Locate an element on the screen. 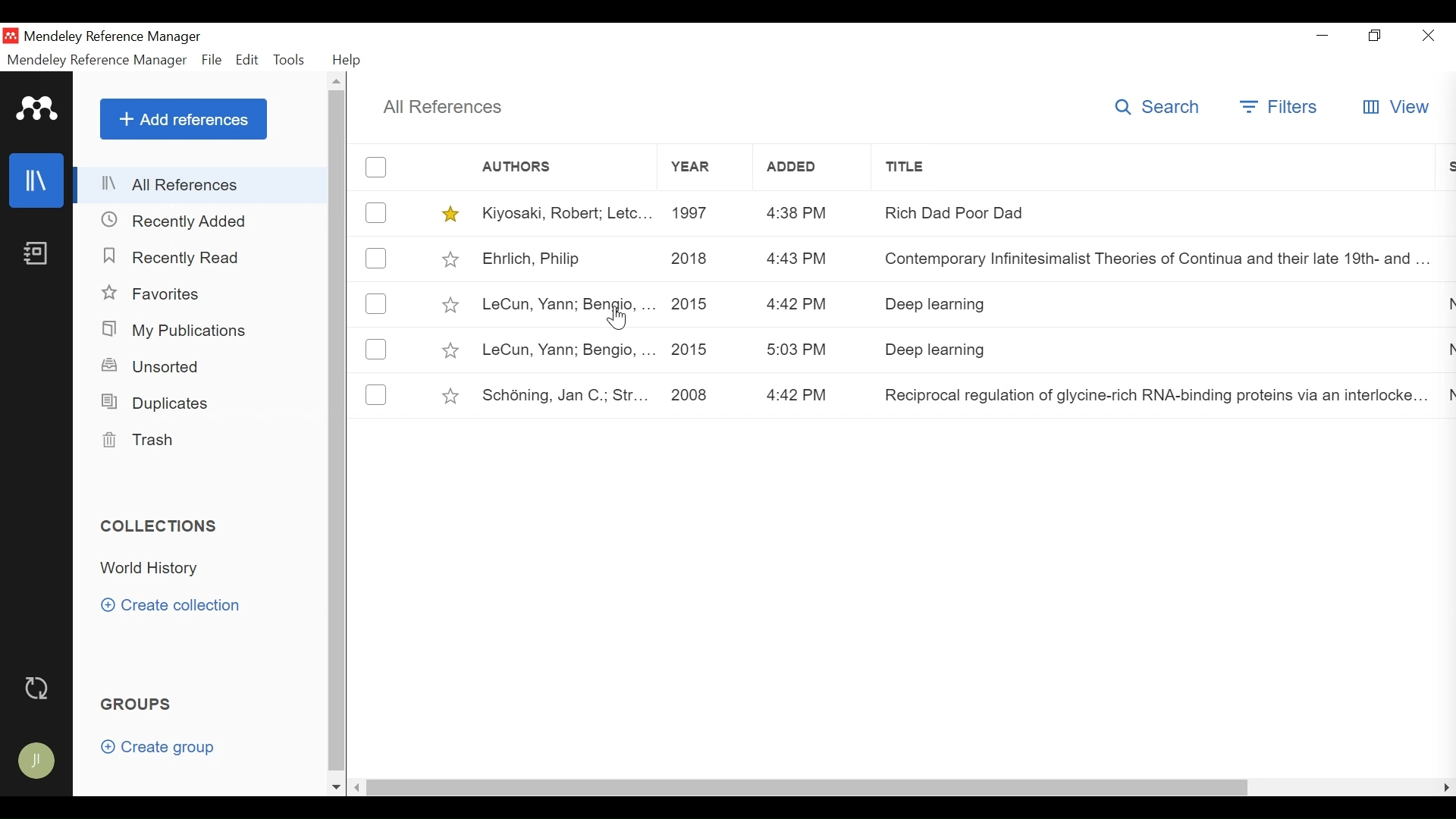 This screenshot has width=1456, height=819. Mendeley Desktop Icon is located at coordinates (12, 36).